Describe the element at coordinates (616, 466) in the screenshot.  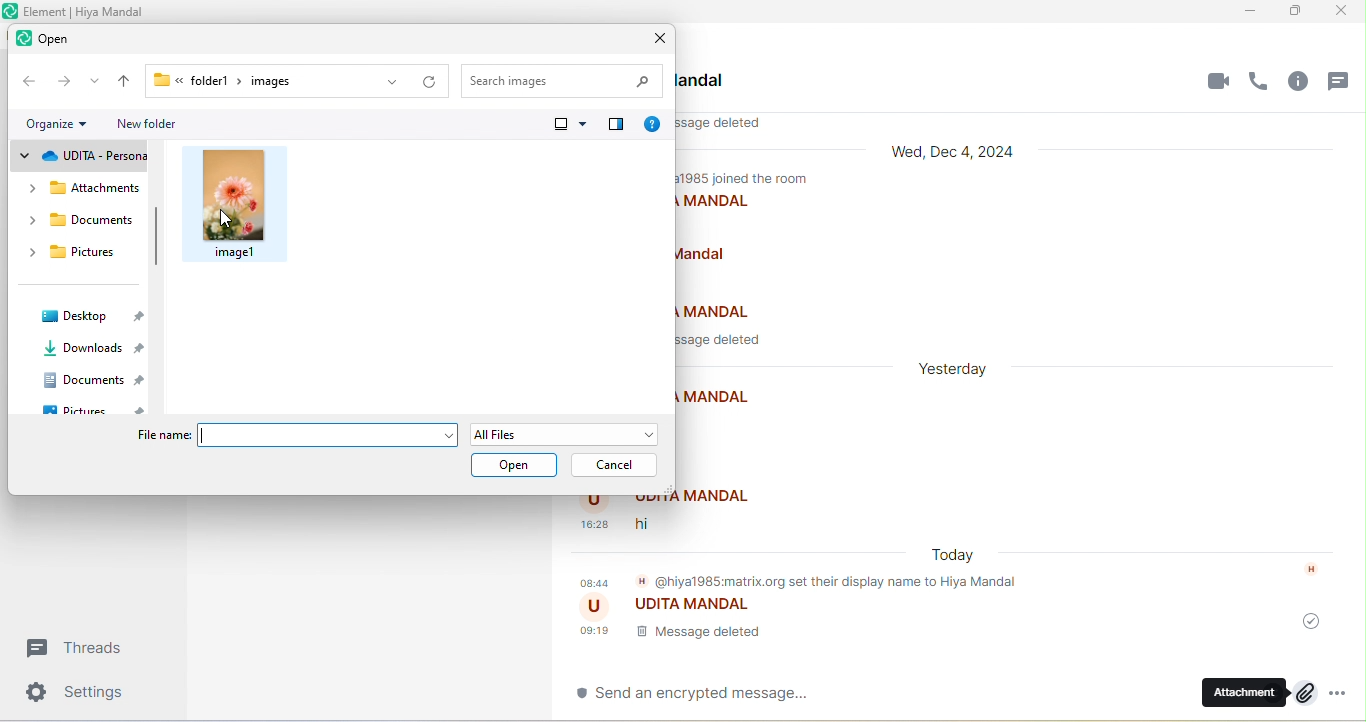
I see `cancel` at that location.